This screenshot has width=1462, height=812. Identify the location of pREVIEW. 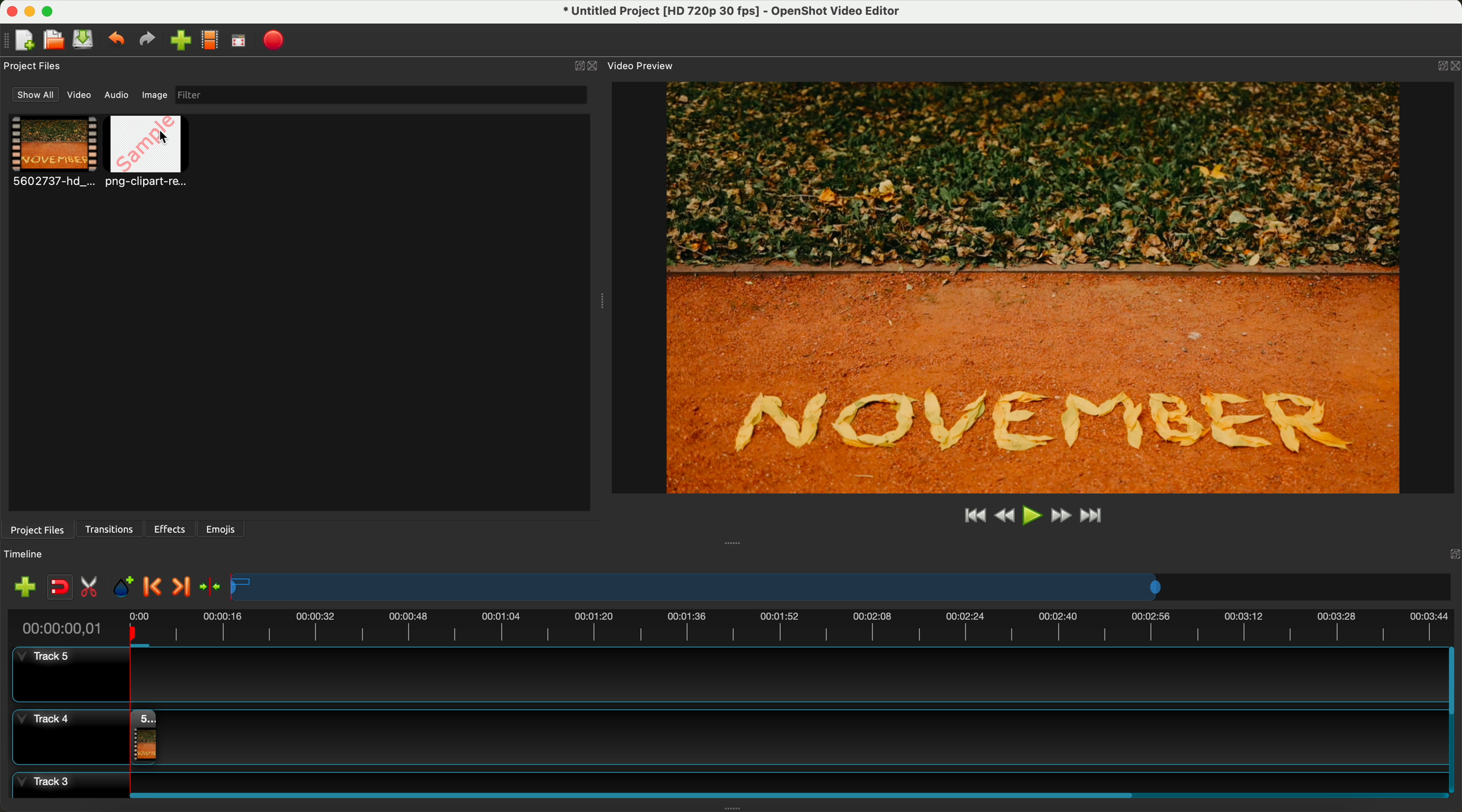
(1039, 287).